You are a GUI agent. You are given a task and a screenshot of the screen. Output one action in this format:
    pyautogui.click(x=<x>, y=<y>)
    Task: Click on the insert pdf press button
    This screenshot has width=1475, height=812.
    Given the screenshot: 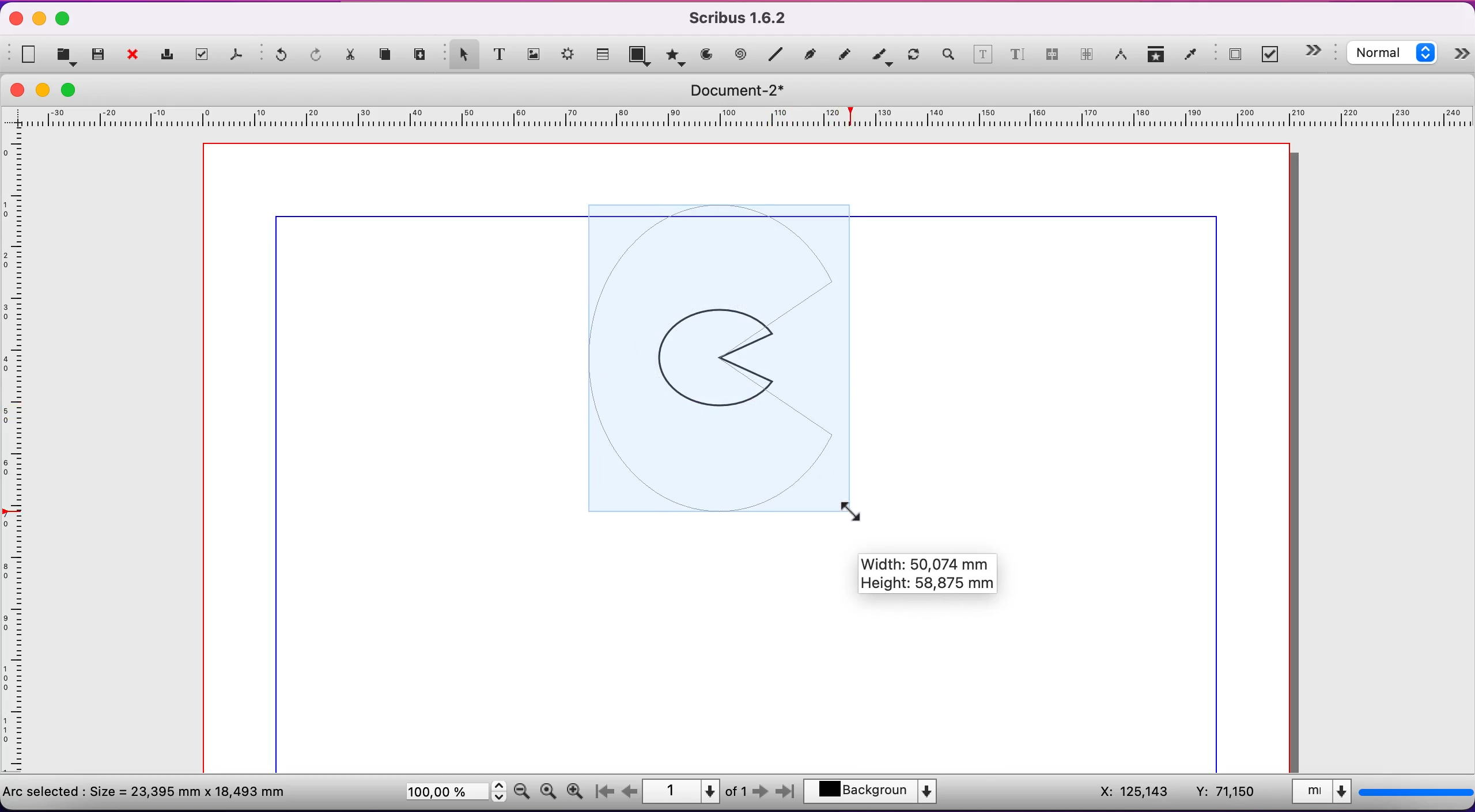 What is the action you would take?
    pyautogui.click(x=1231, y=55)
    